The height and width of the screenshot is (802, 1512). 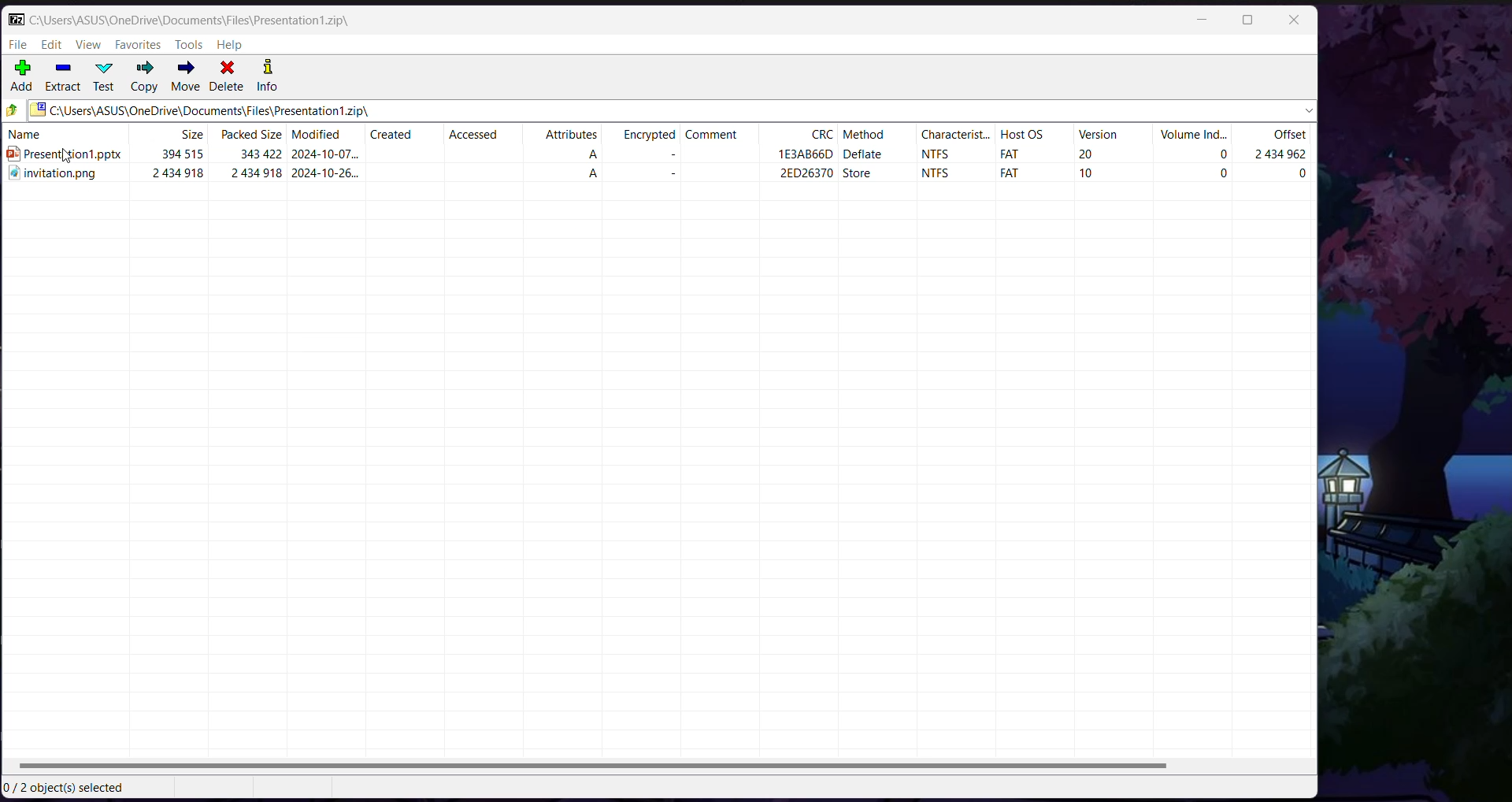 What do you see at coordinates (571, 137) in the screenshot?
I see `Attributes` at bounding box center [571, 137].